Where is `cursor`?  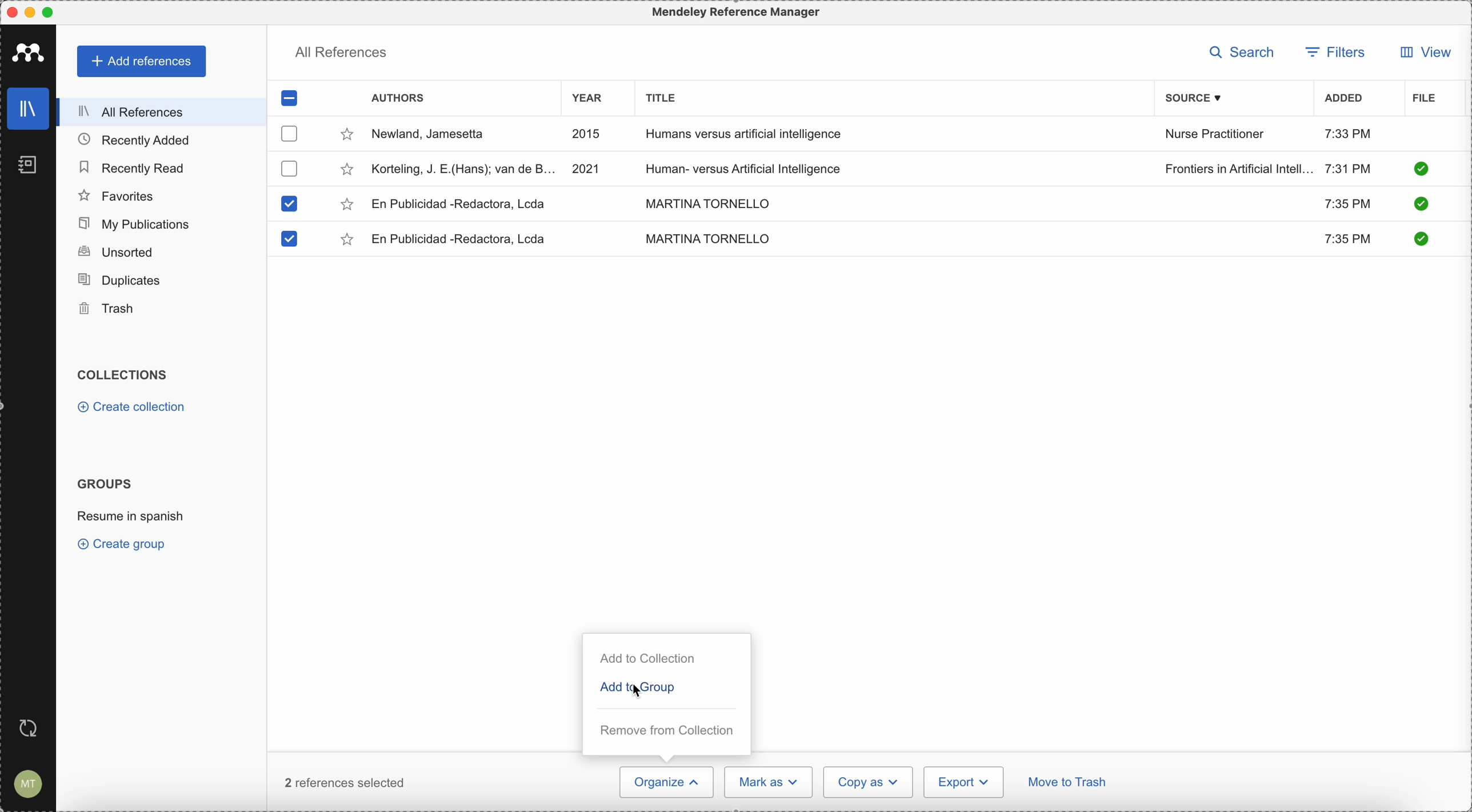 cursor is located at coordinates (639, 691).